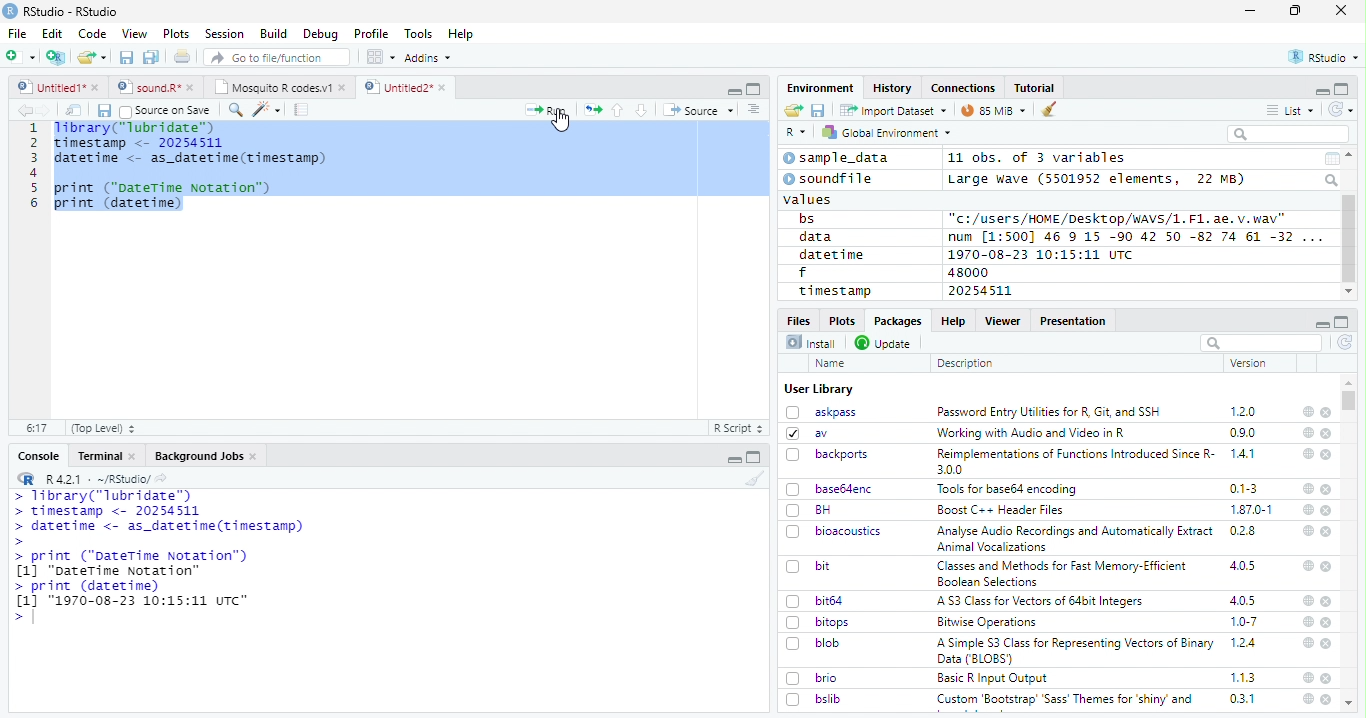 The image size is (1366, 718). What do you see at coordinates (992, 291) in the screenshot?
I see `2012368256` at bounding box center [992, 291].